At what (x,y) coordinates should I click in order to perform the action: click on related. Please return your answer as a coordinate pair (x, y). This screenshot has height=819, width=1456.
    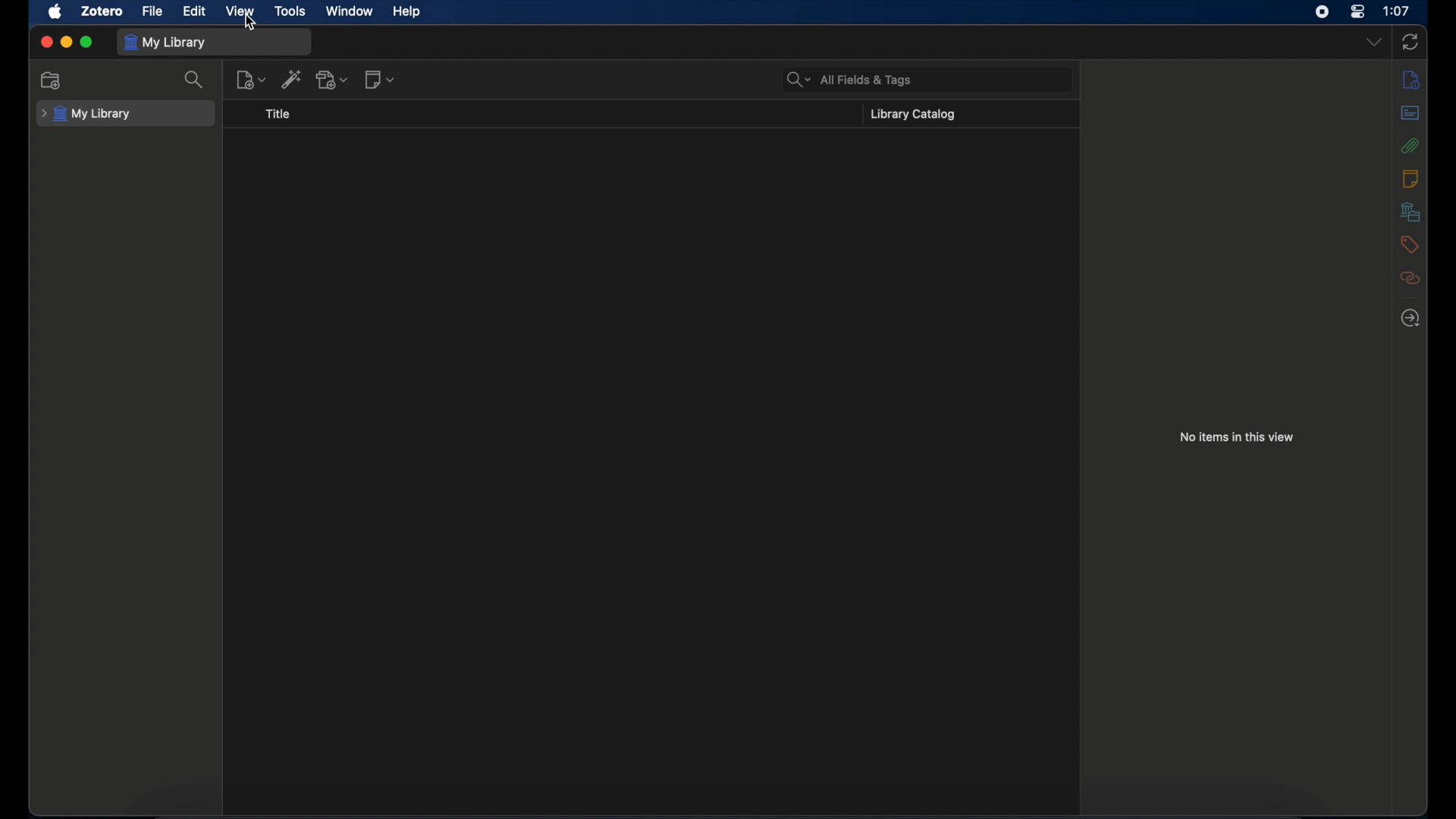
    Looking at the image, I should click on (1410, 278).